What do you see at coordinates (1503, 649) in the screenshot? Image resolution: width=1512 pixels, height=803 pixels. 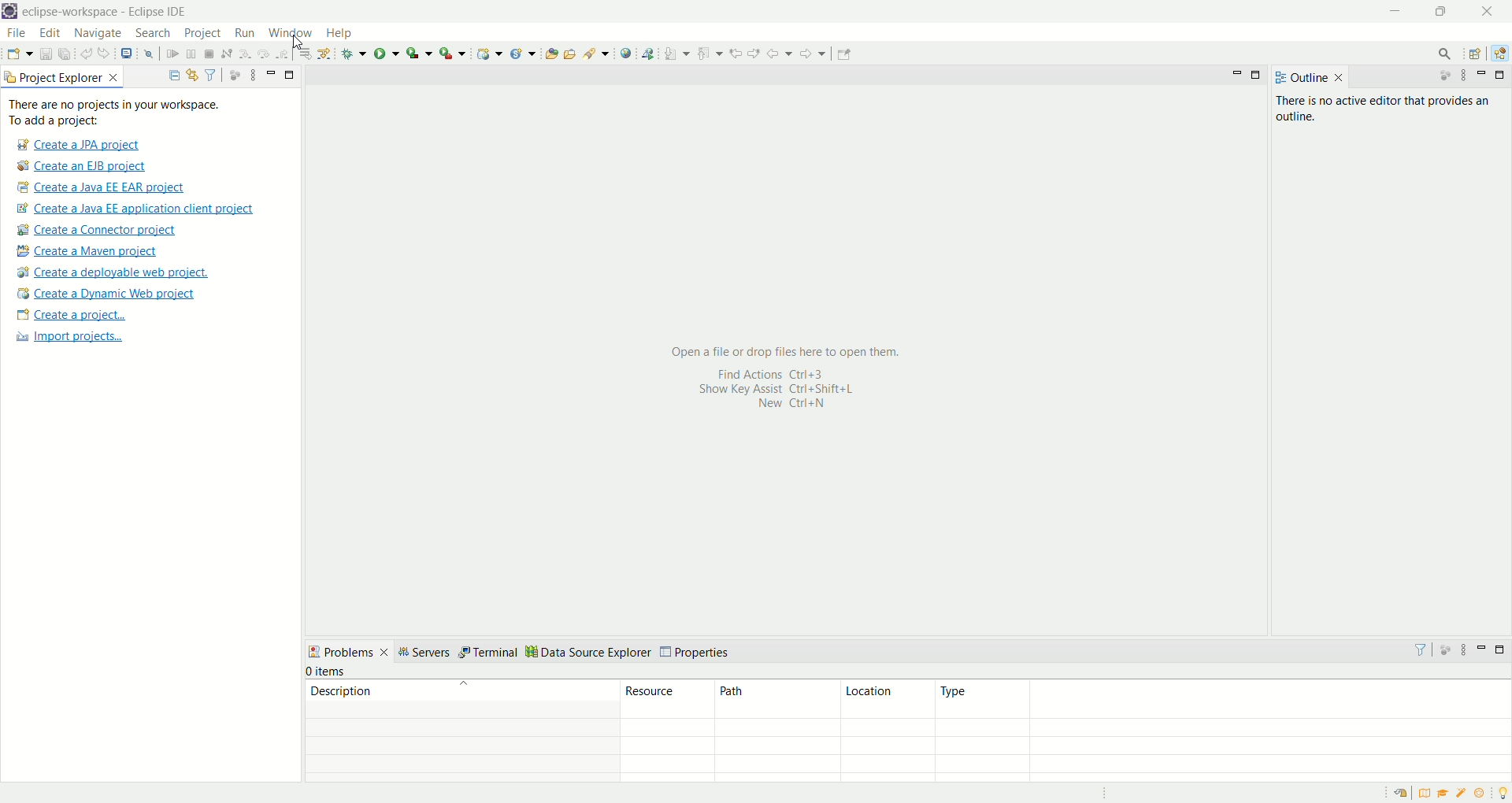 I see `maximize` at bounding box center [1503, 649].